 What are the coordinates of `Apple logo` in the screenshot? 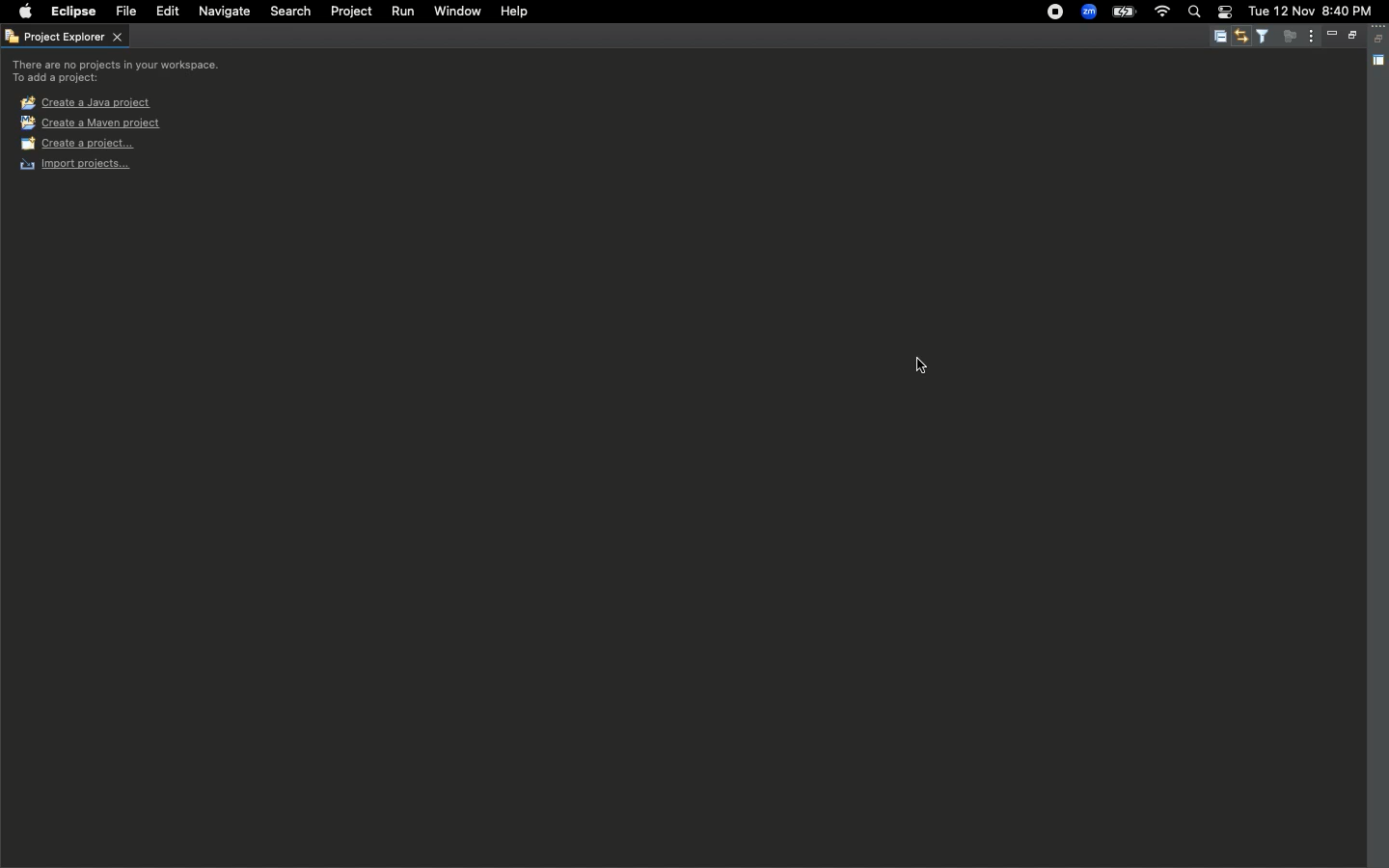 It's located at (26, 11).